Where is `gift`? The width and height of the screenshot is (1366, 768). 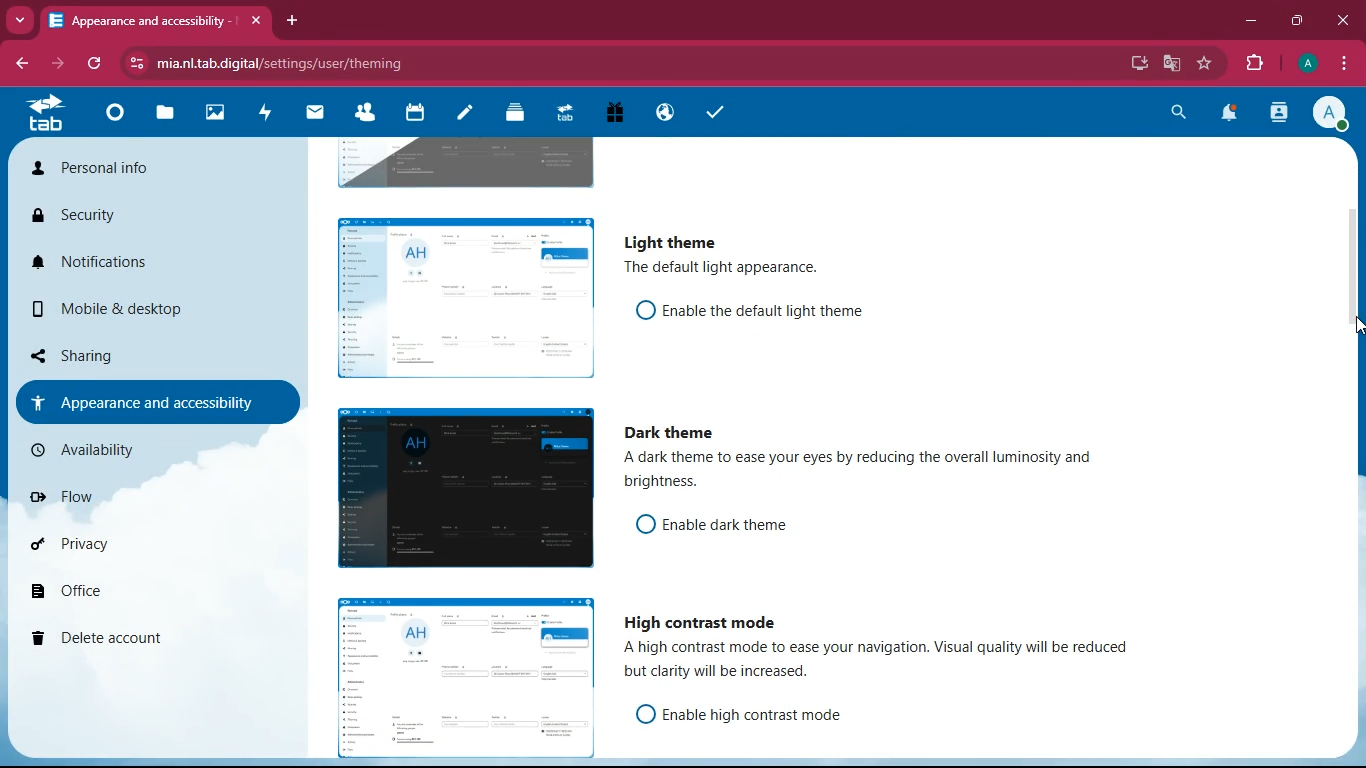
gift is located at coordinates (610, 114).